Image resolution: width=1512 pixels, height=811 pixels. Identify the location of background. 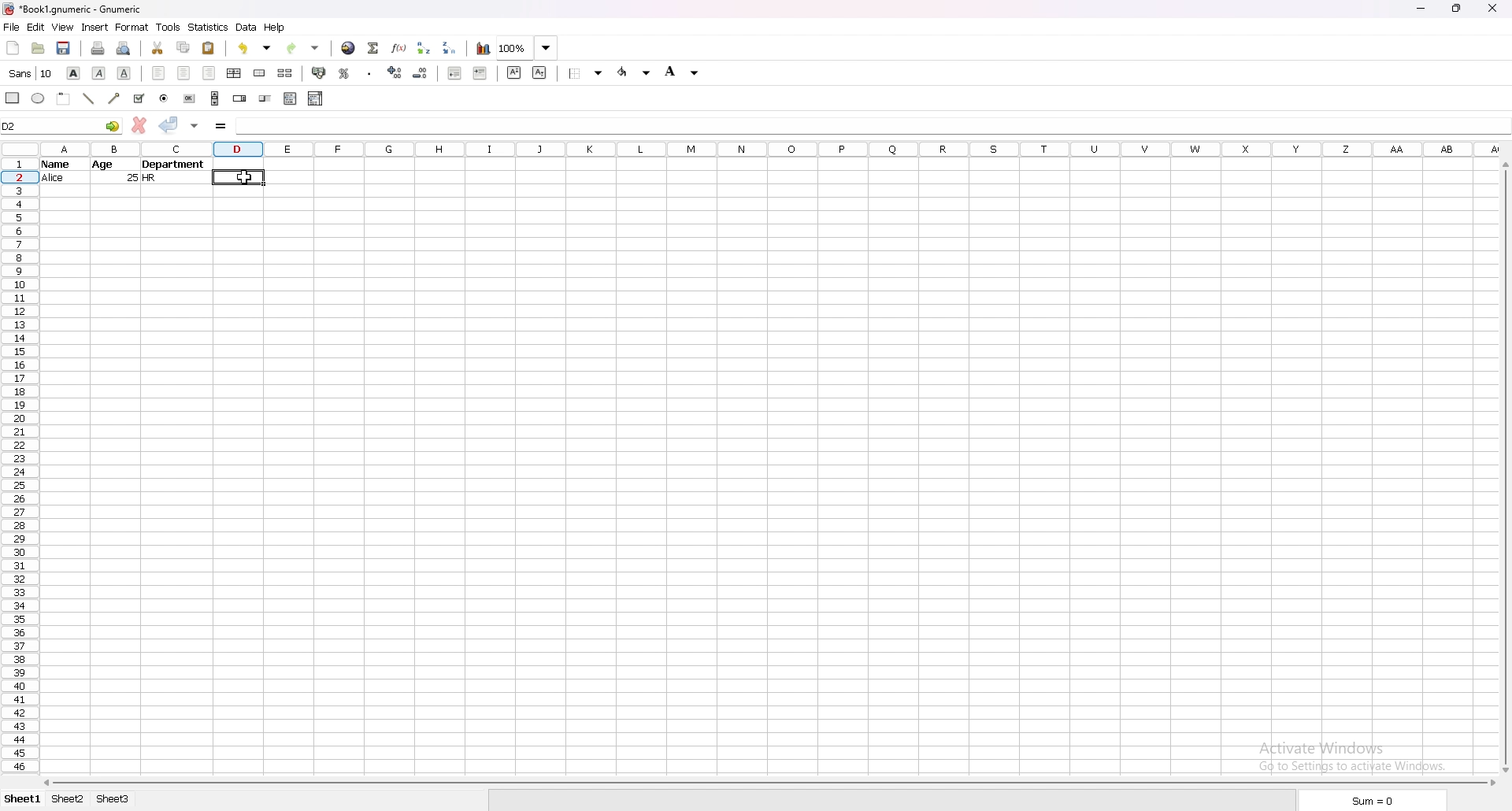
(681, 72).